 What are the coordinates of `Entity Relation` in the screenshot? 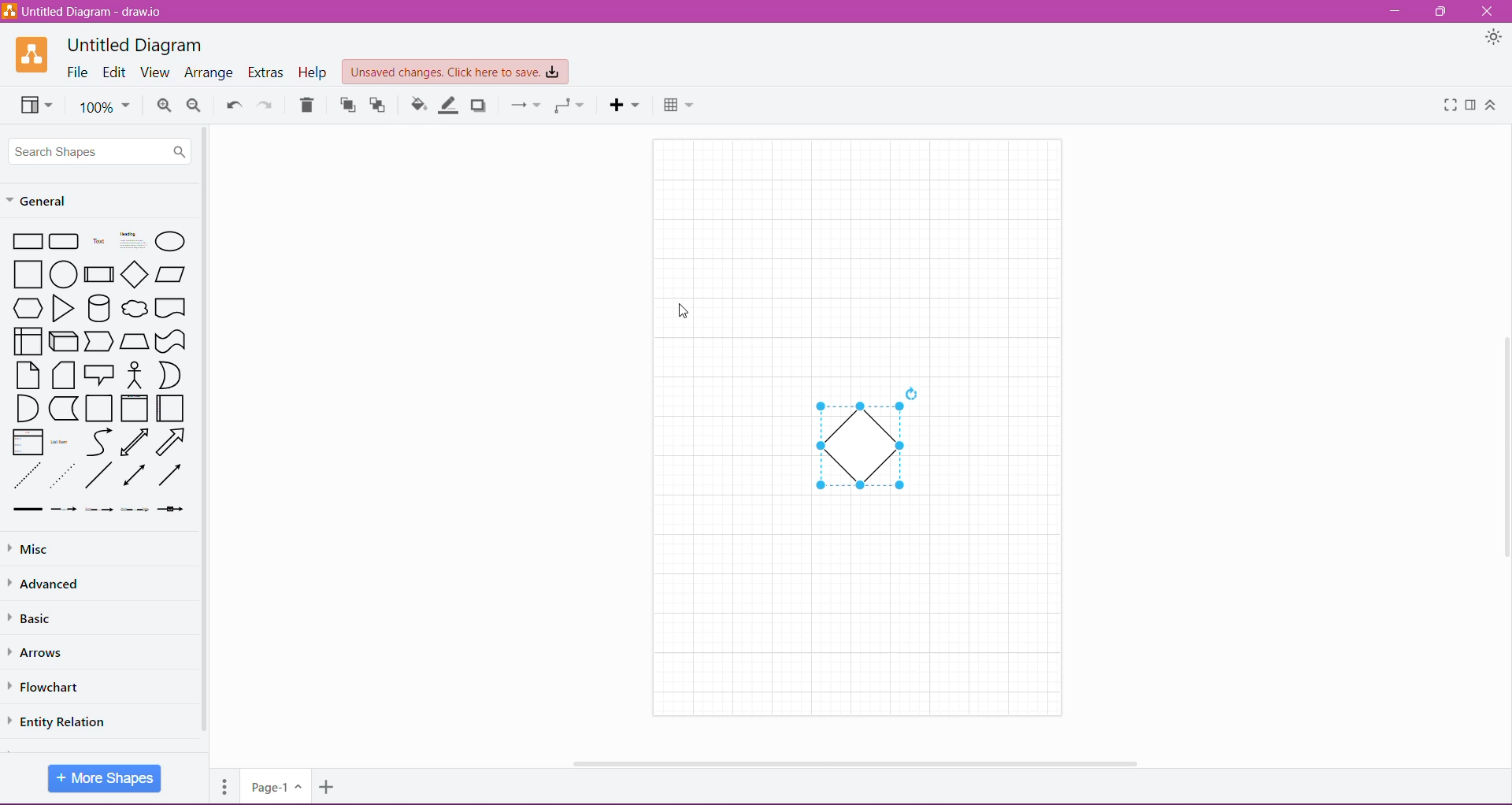 It's located at (66, 722).